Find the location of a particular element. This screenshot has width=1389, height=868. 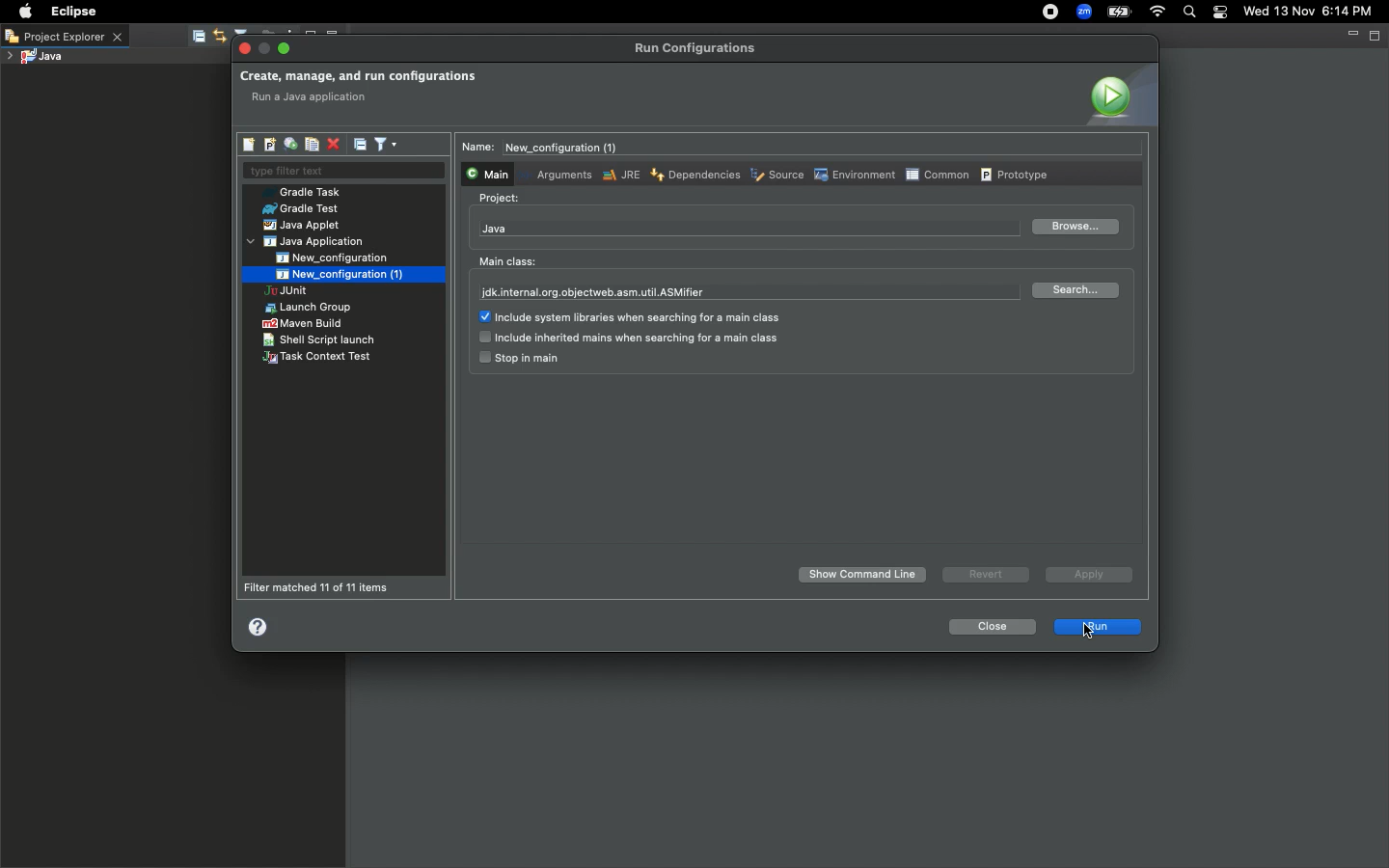

Recording is located at coordinates (1049, 12).